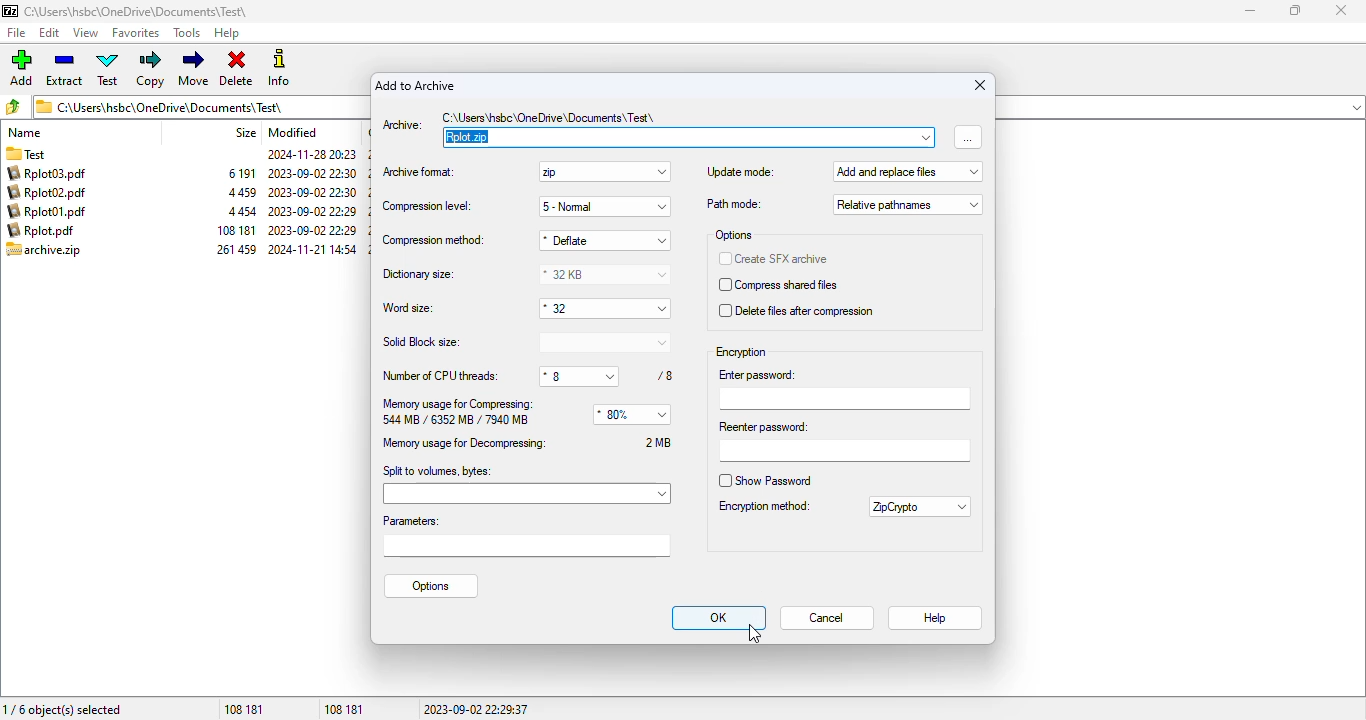 The width and height of the screenshot is (1366, 720). I want to click on parameters: , so click(525, 534).